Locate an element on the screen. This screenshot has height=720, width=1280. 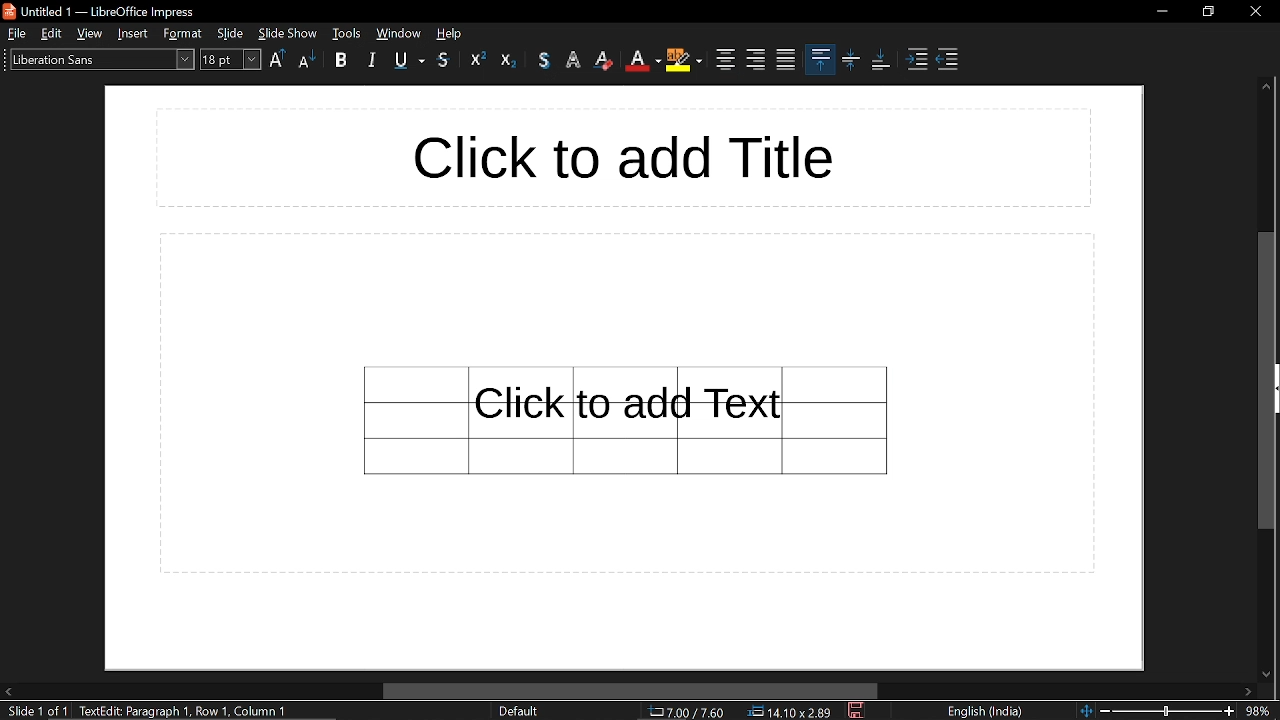
italic is located at coordinates (371, 61).